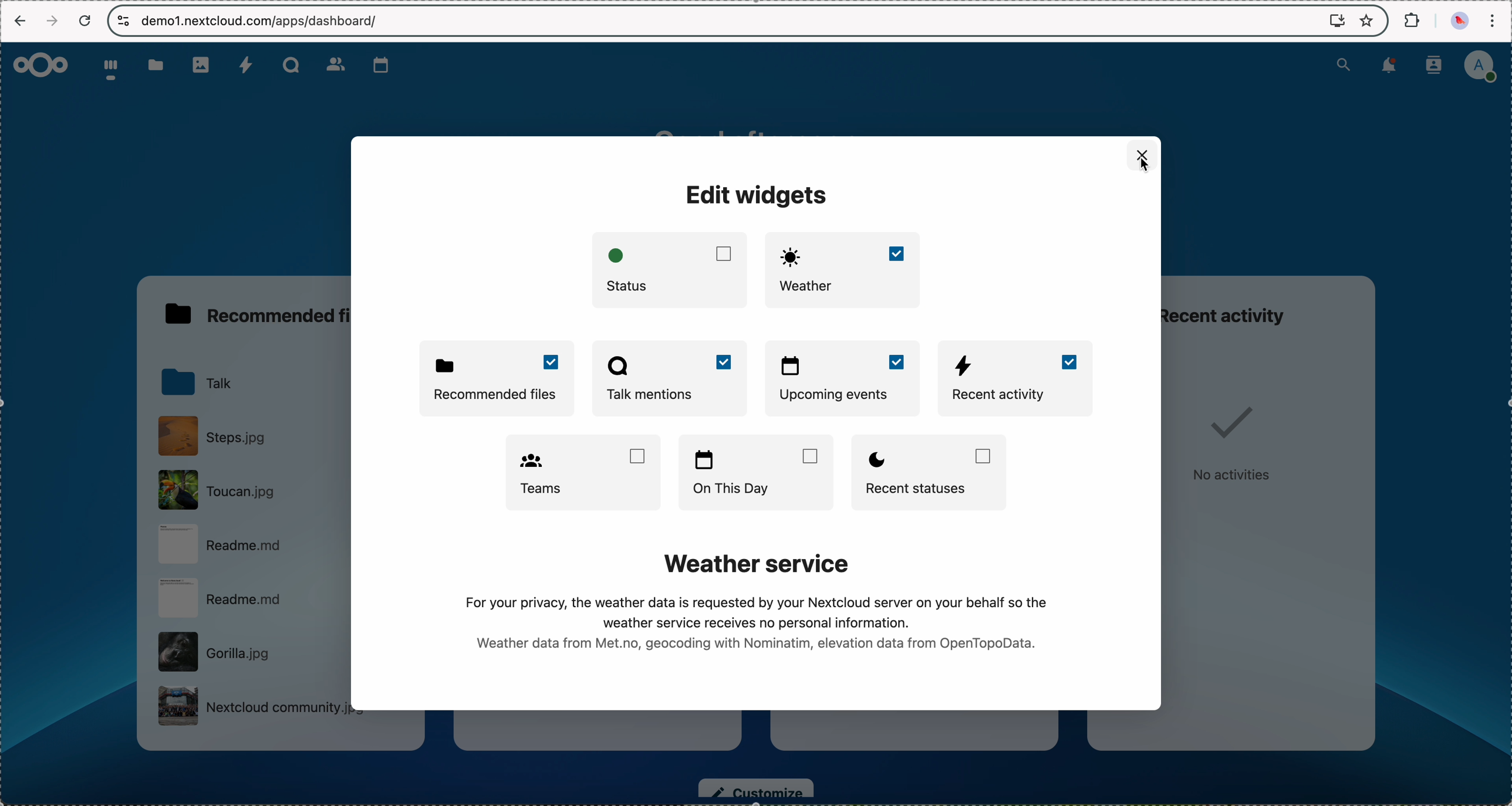  What do you see at coordinates (1389, 66) in the screenshot?
I see `notifications` at bounding box center [1389, 66].